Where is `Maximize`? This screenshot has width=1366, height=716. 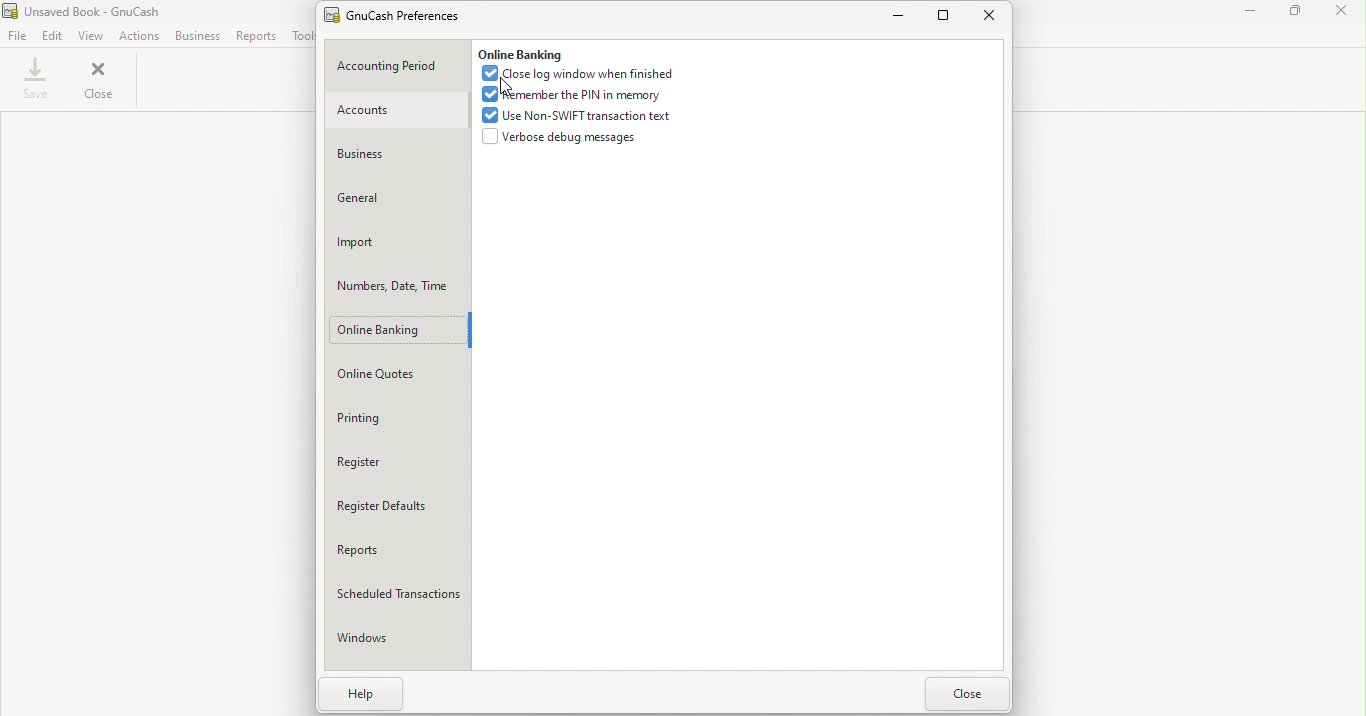
Maximize is located at coordinates (1296, 13).